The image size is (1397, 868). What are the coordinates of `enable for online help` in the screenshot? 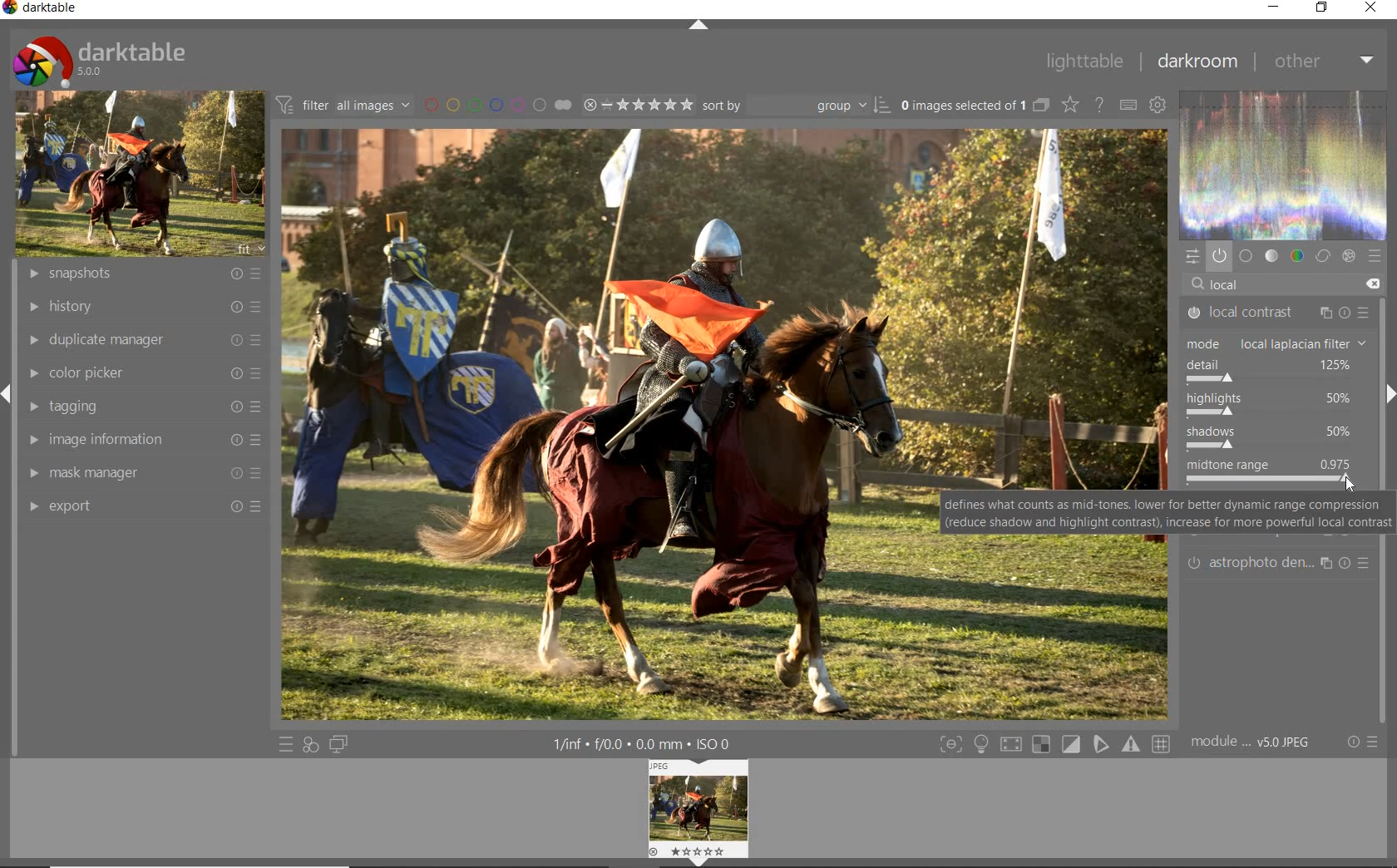 It's located at (1099, 104).